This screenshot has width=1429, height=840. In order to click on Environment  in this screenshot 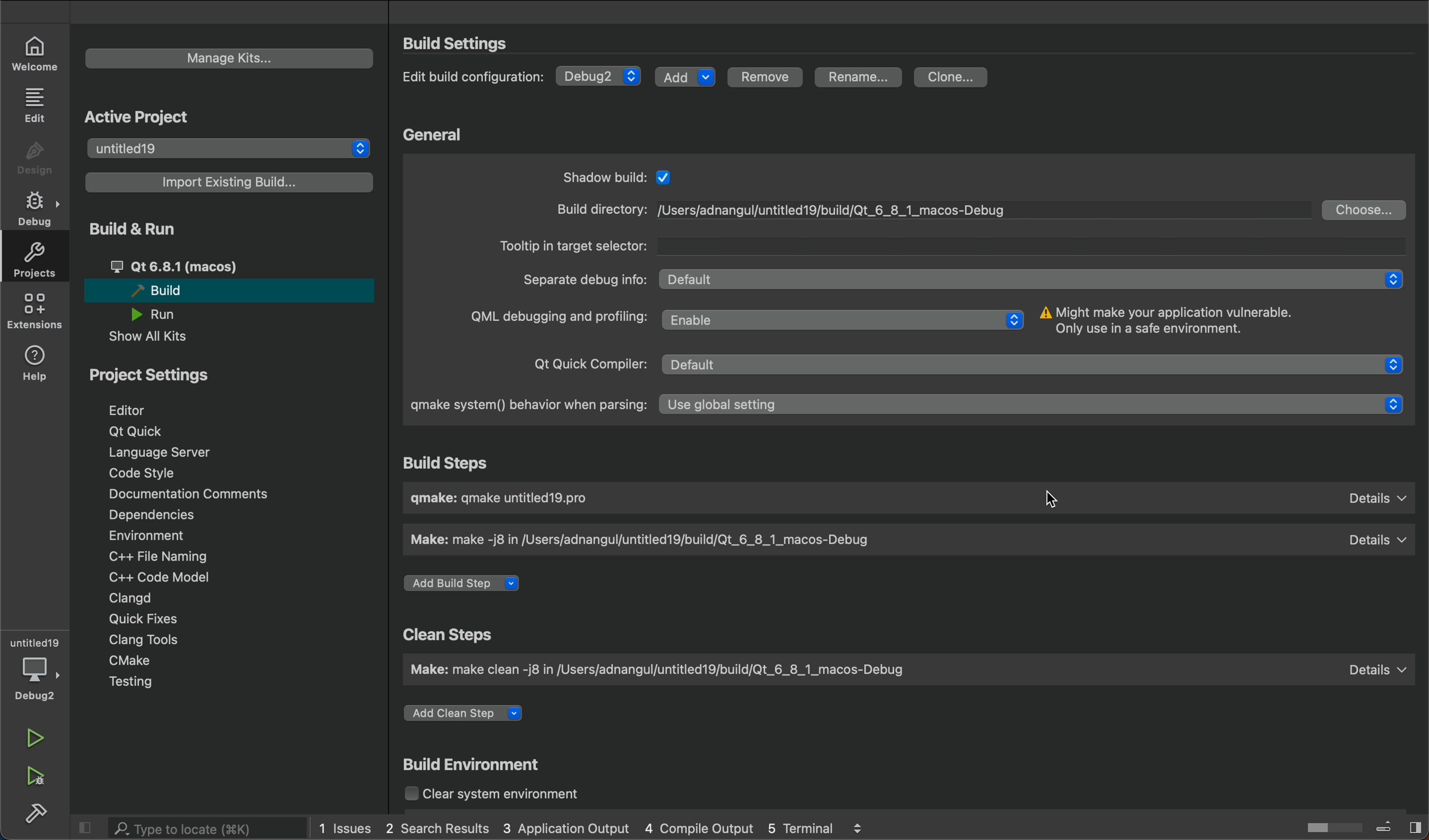, I will do `click(162, 535)`.